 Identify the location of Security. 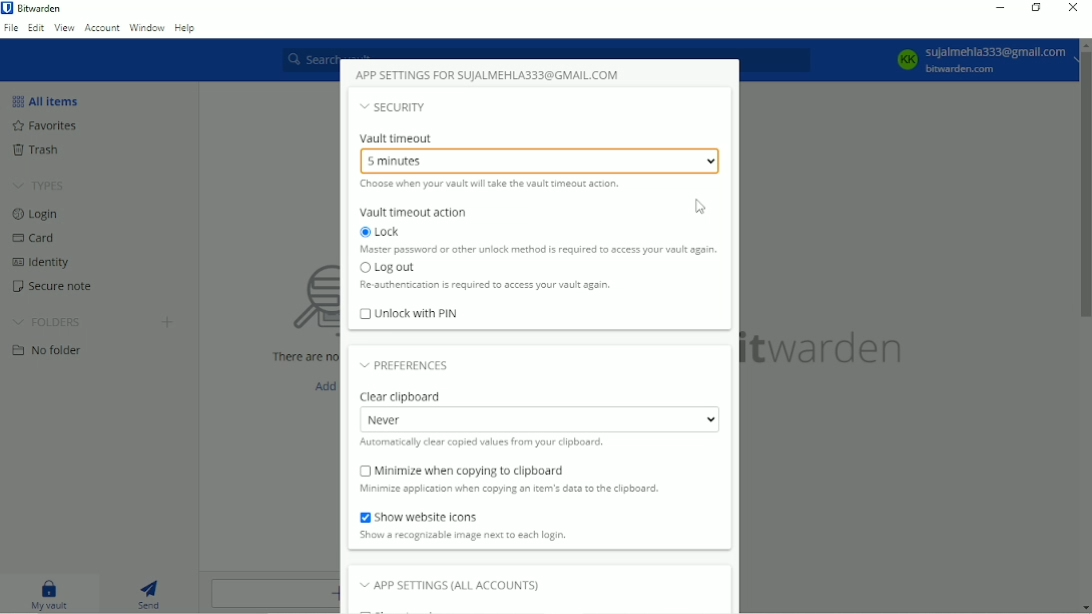
(397, 107).